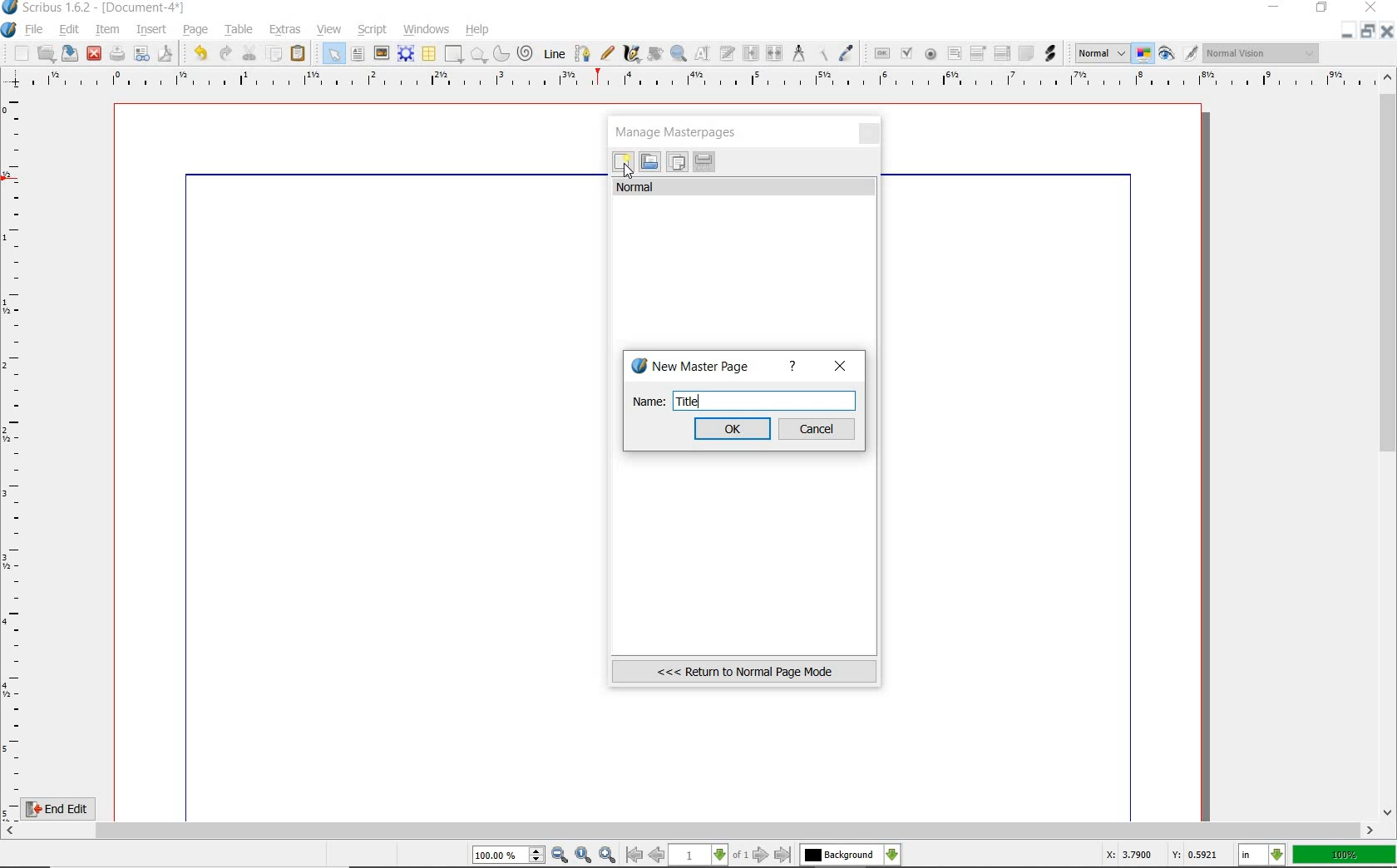 The height and width of the screenshot is (868, 1397). What do you see at coordinates (1262, 856) in the screenshot?
I see `in` at bounding box center [1262, 856].